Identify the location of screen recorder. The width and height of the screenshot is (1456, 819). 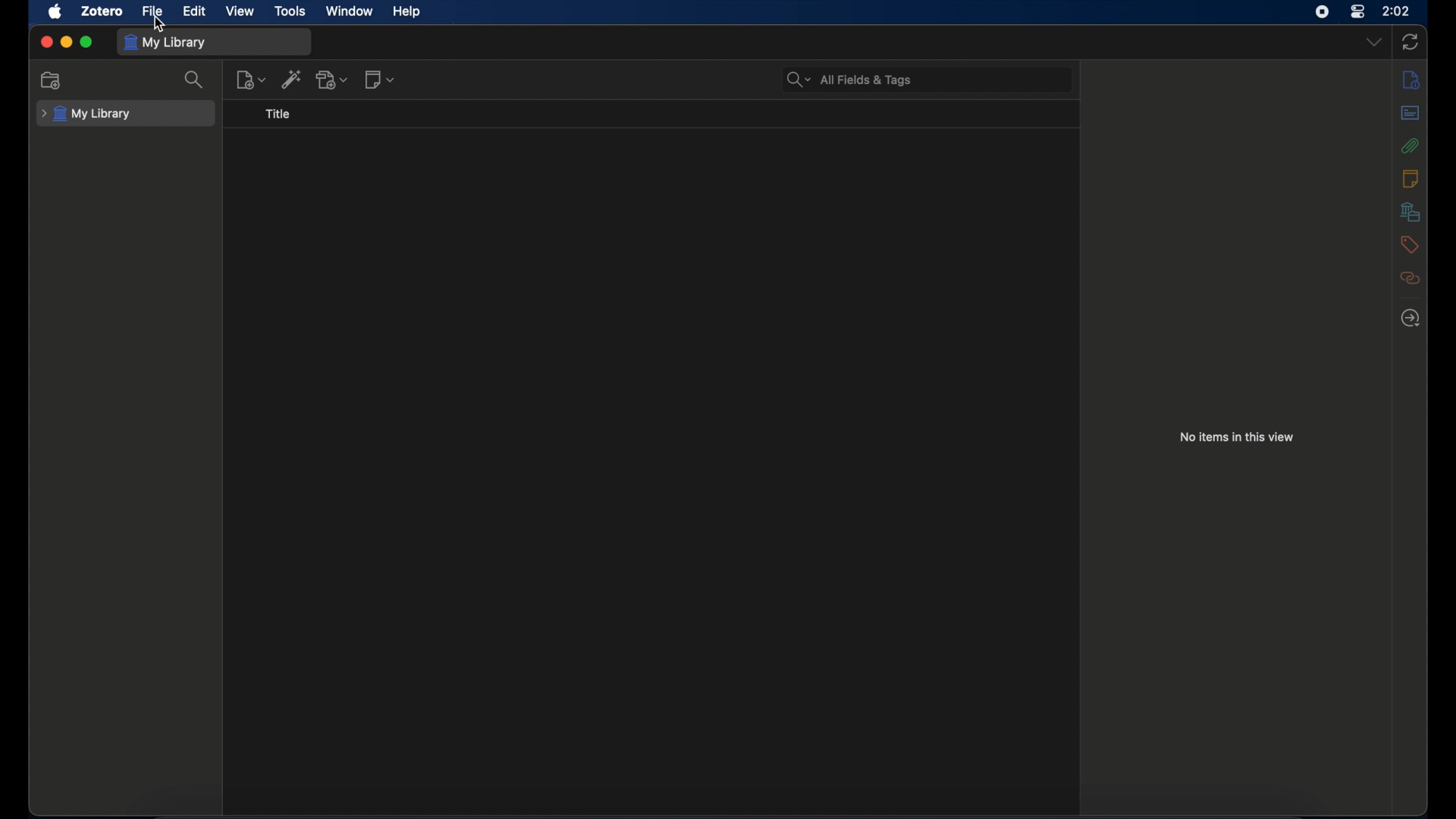
(1321, 11).